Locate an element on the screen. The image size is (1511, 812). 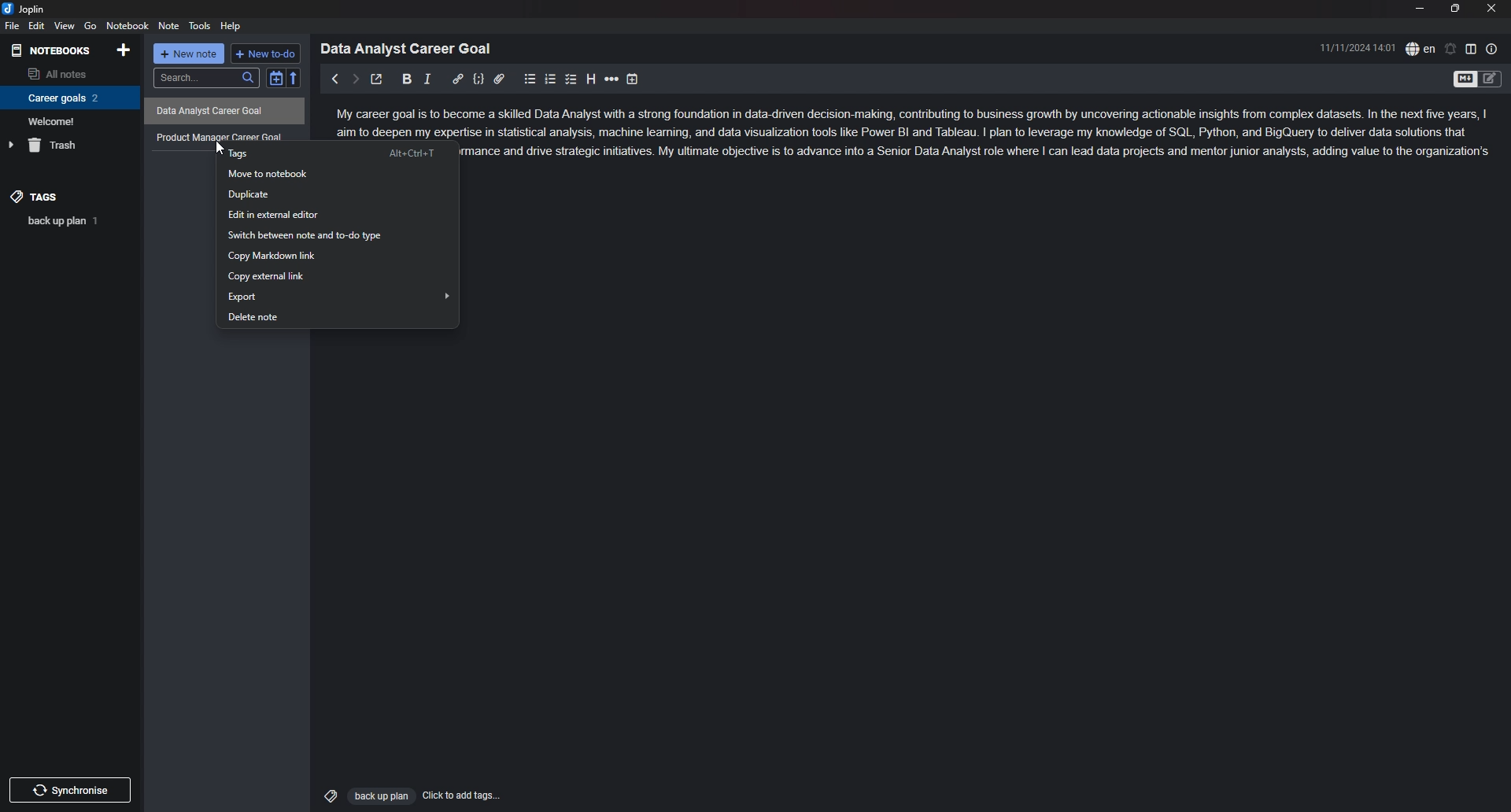
note properties is located at coordinates (1492, 49).